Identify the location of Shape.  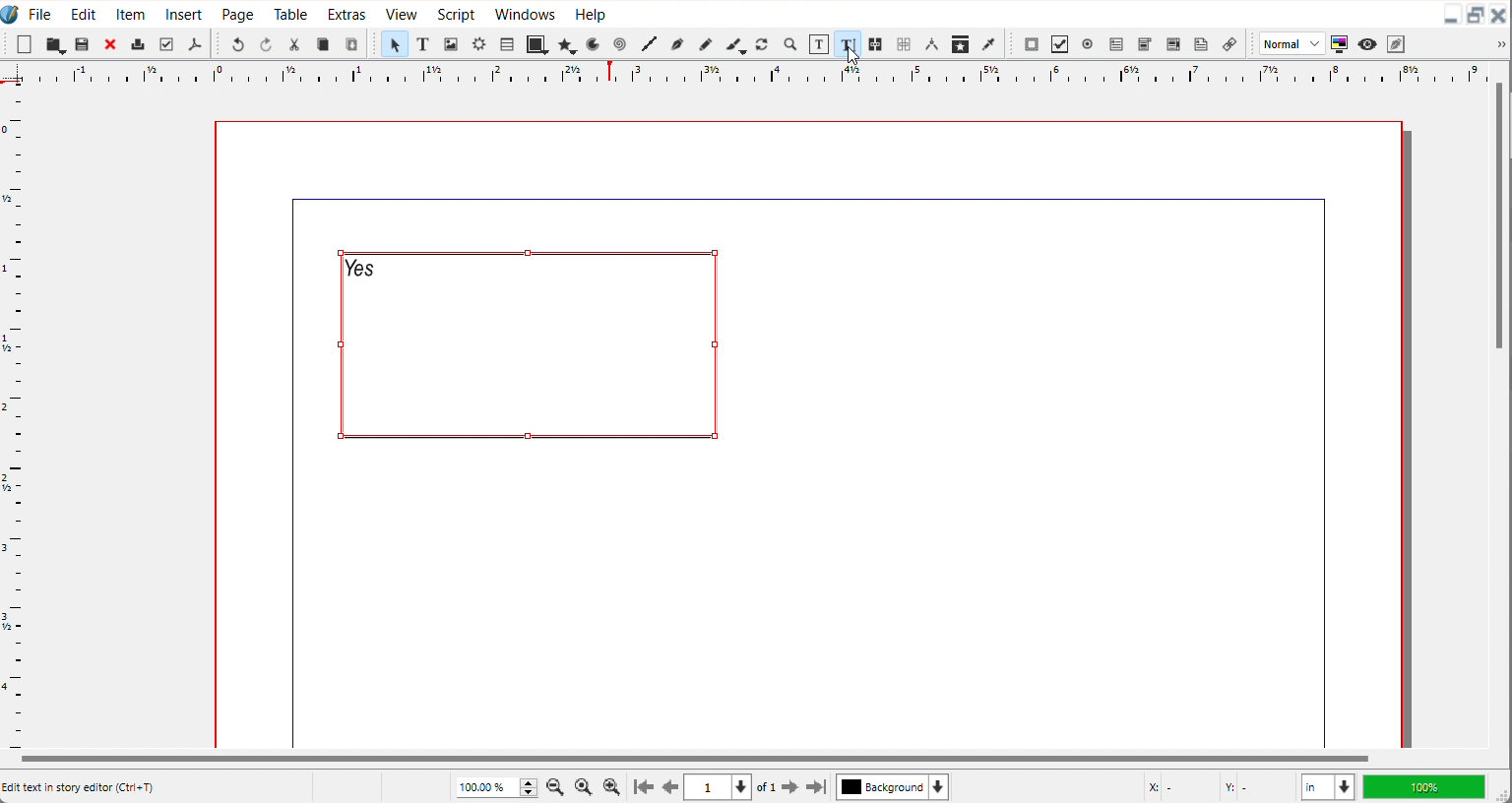
(537, 43).